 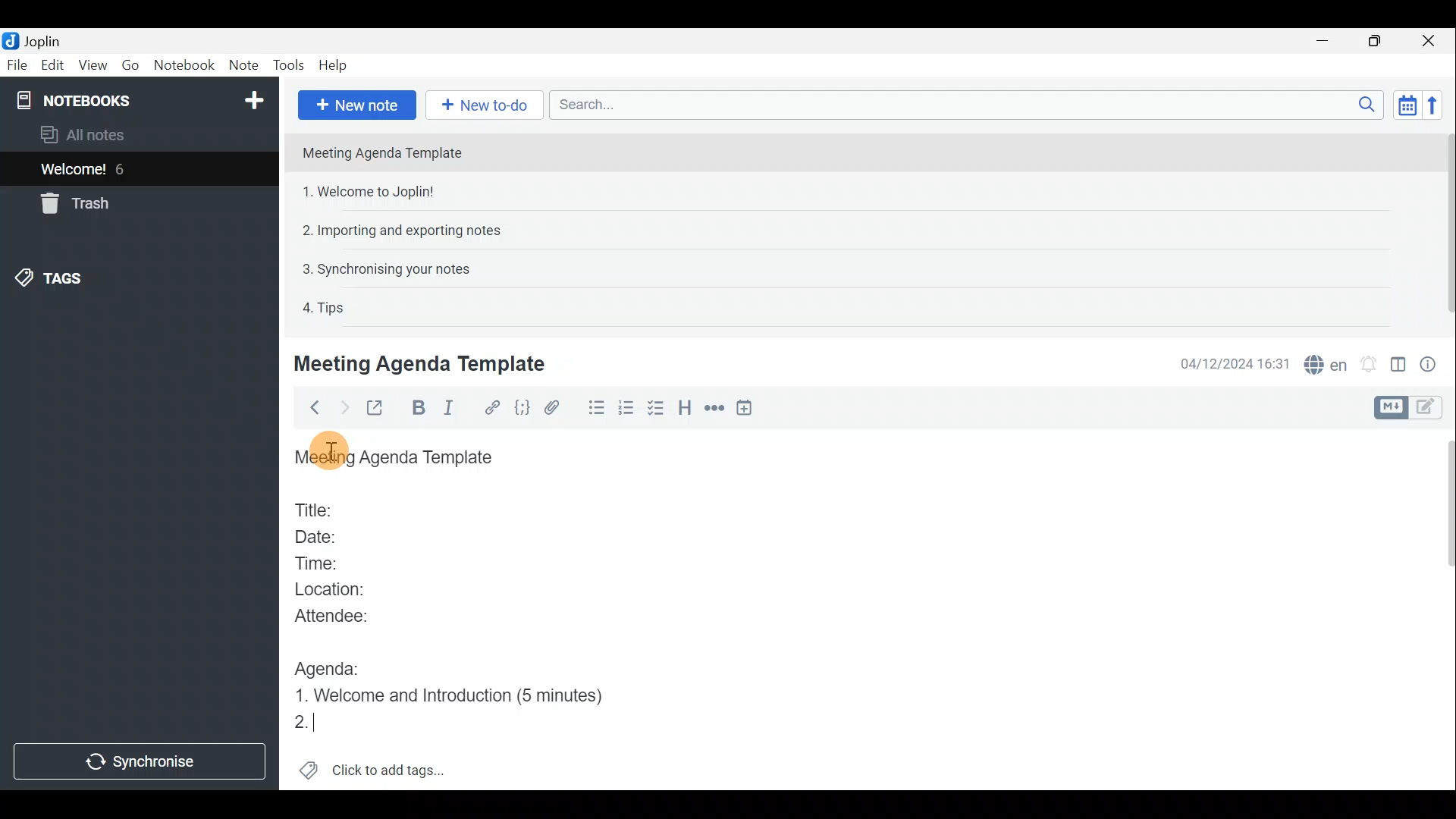 What do you see at coordinates (1433, 363) in the screenshot?
I see `Note properties` at bounding box center [1433, 363].